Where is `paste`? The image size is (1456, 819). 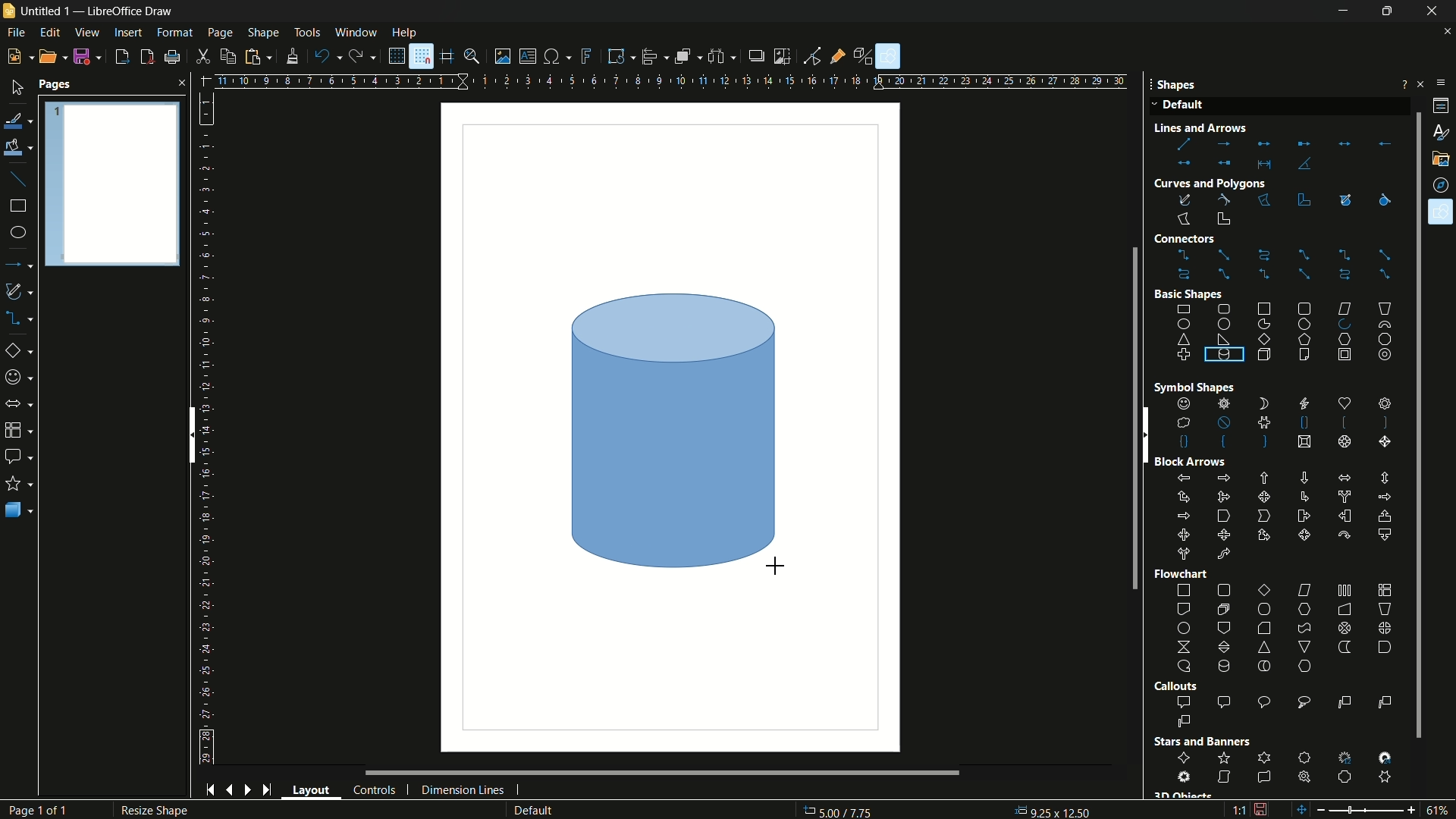 paste is located at coordinates (262, 56).